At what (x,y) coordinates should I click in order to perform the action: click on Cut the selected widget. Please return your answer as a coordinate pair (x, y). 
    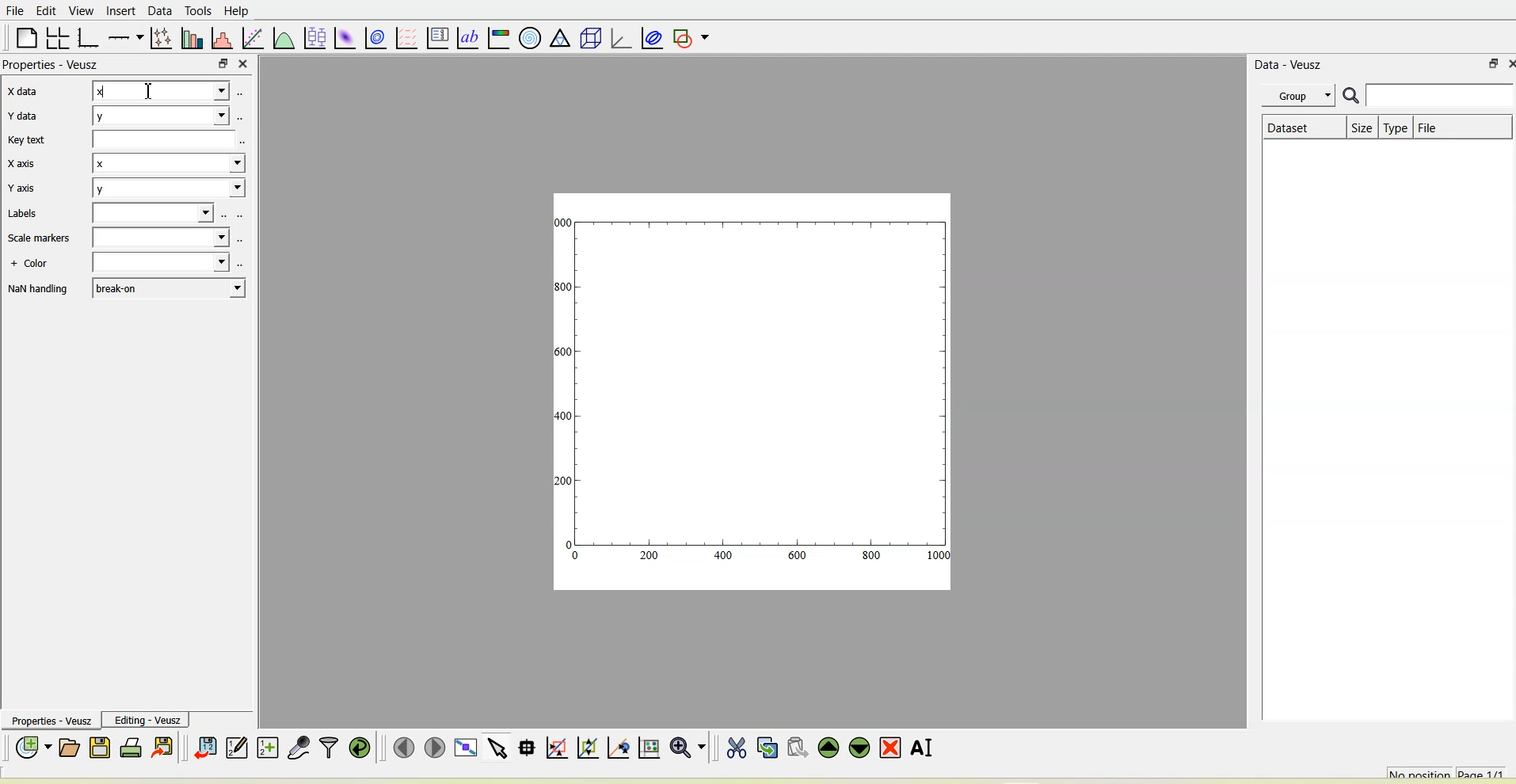
    Looking at the image, I should click on (736, 748).